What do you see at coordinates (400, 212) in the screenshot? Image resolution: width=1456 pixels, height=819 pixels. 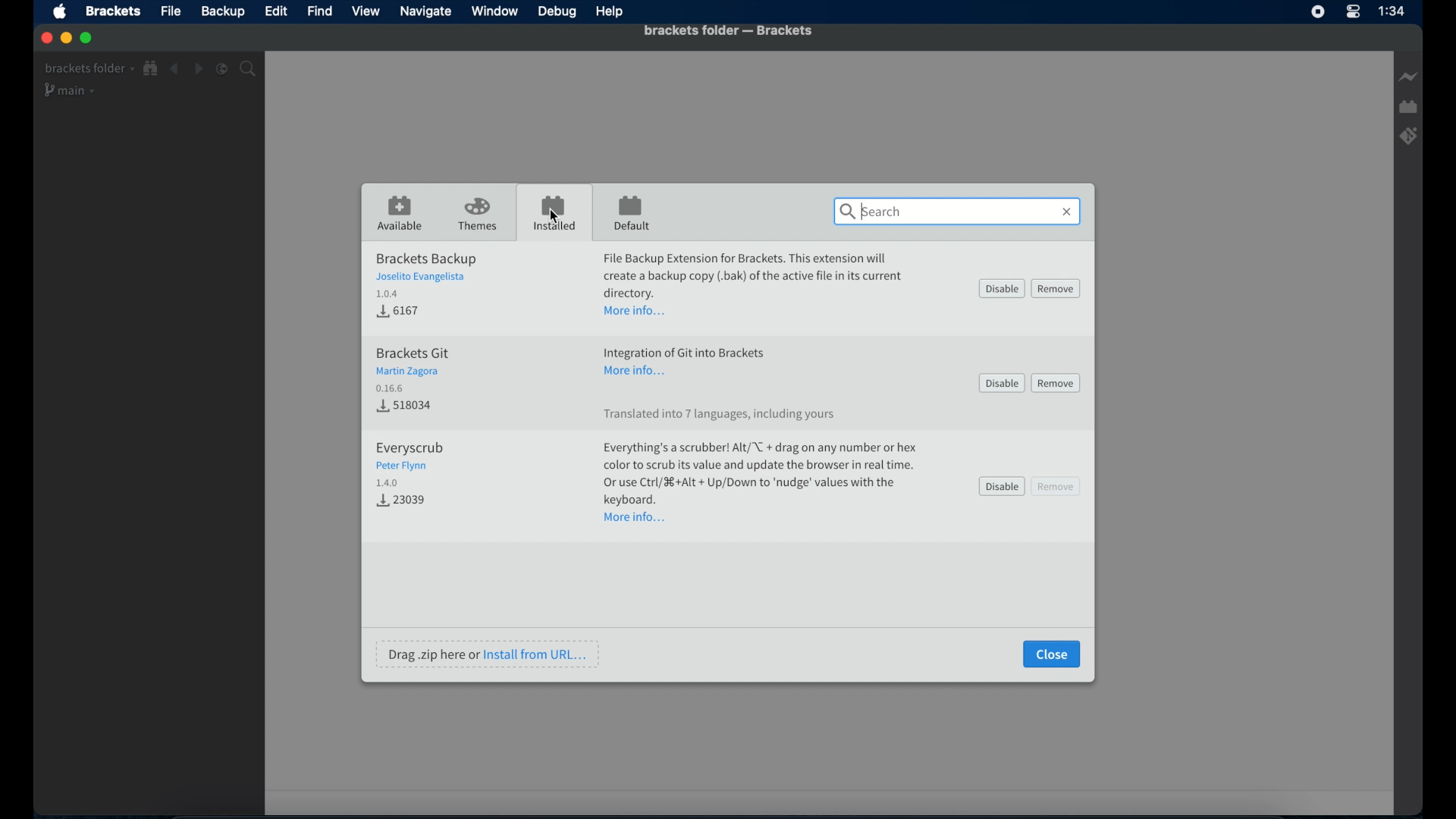 I see `available` at bounding box center [400, 212].